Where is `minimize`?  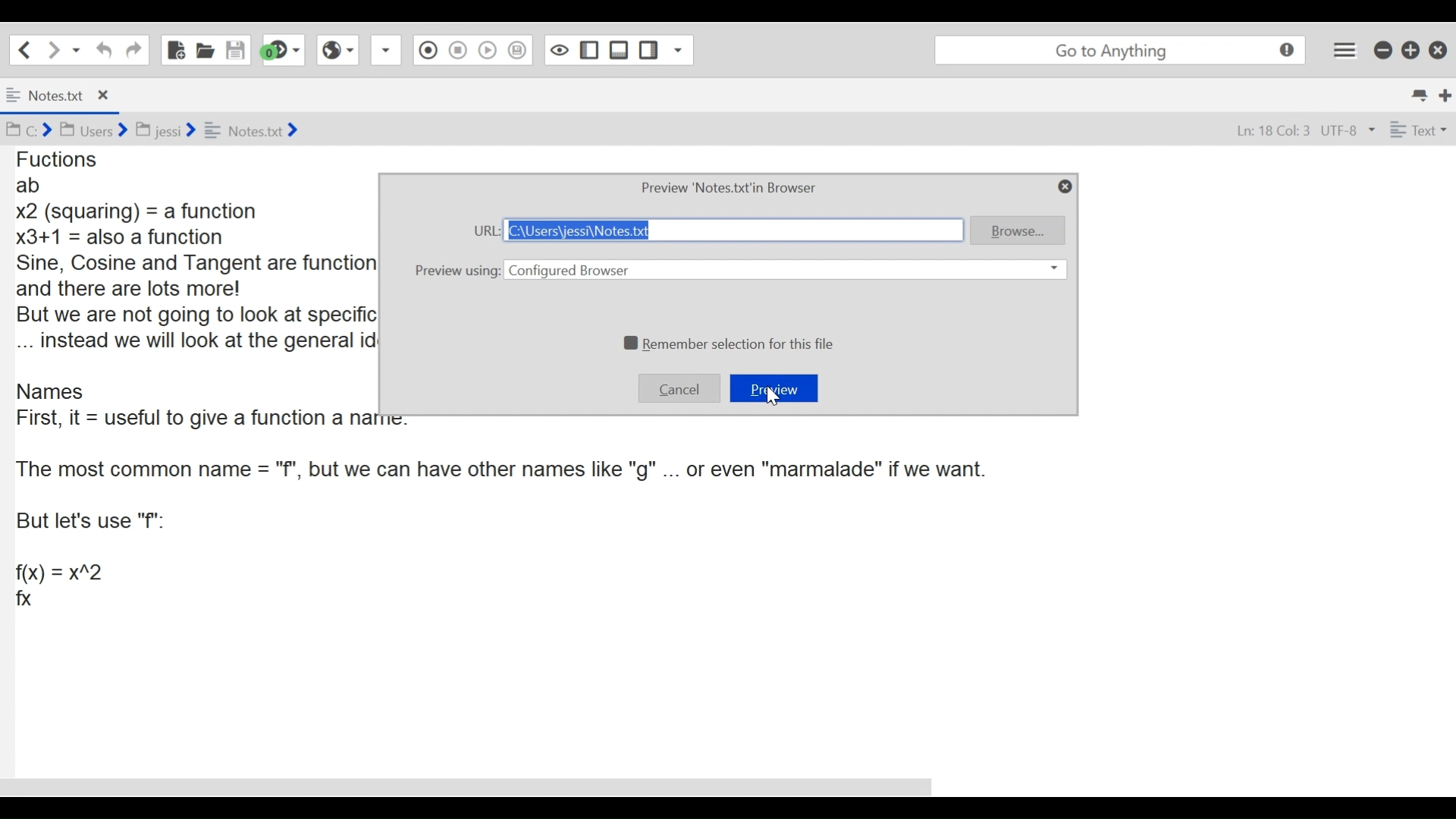
minimize is located at coordinates (1382, 50).